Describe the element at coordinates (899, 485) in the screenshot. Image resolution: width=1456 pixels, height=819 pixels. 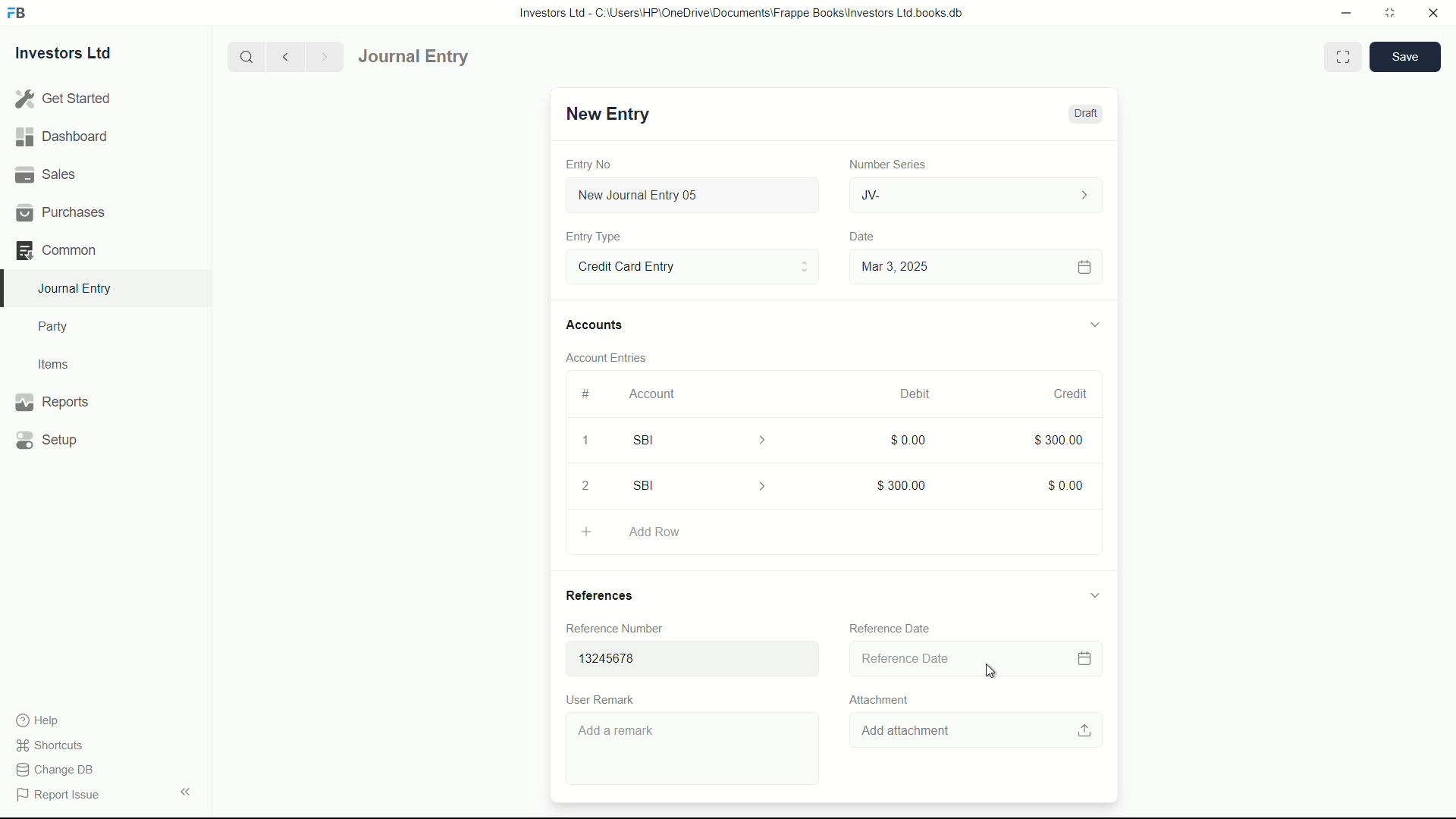
I see `$300.00` at that location.